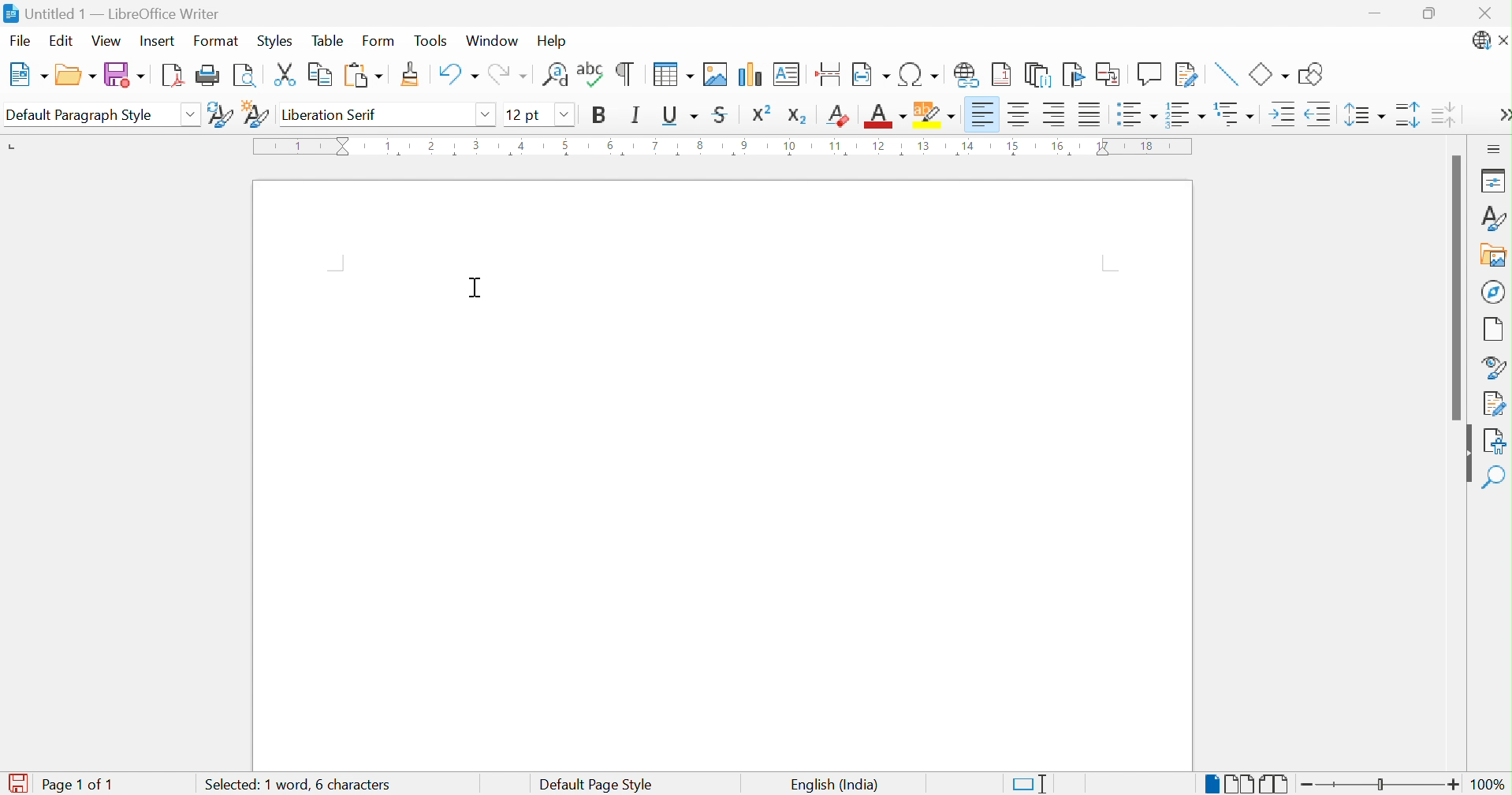 Image resolution: width=1512 pixels, height=795 pixels. Describe the element at coordinates (679, 115) in the screenshot. I see `Underline` at that location.